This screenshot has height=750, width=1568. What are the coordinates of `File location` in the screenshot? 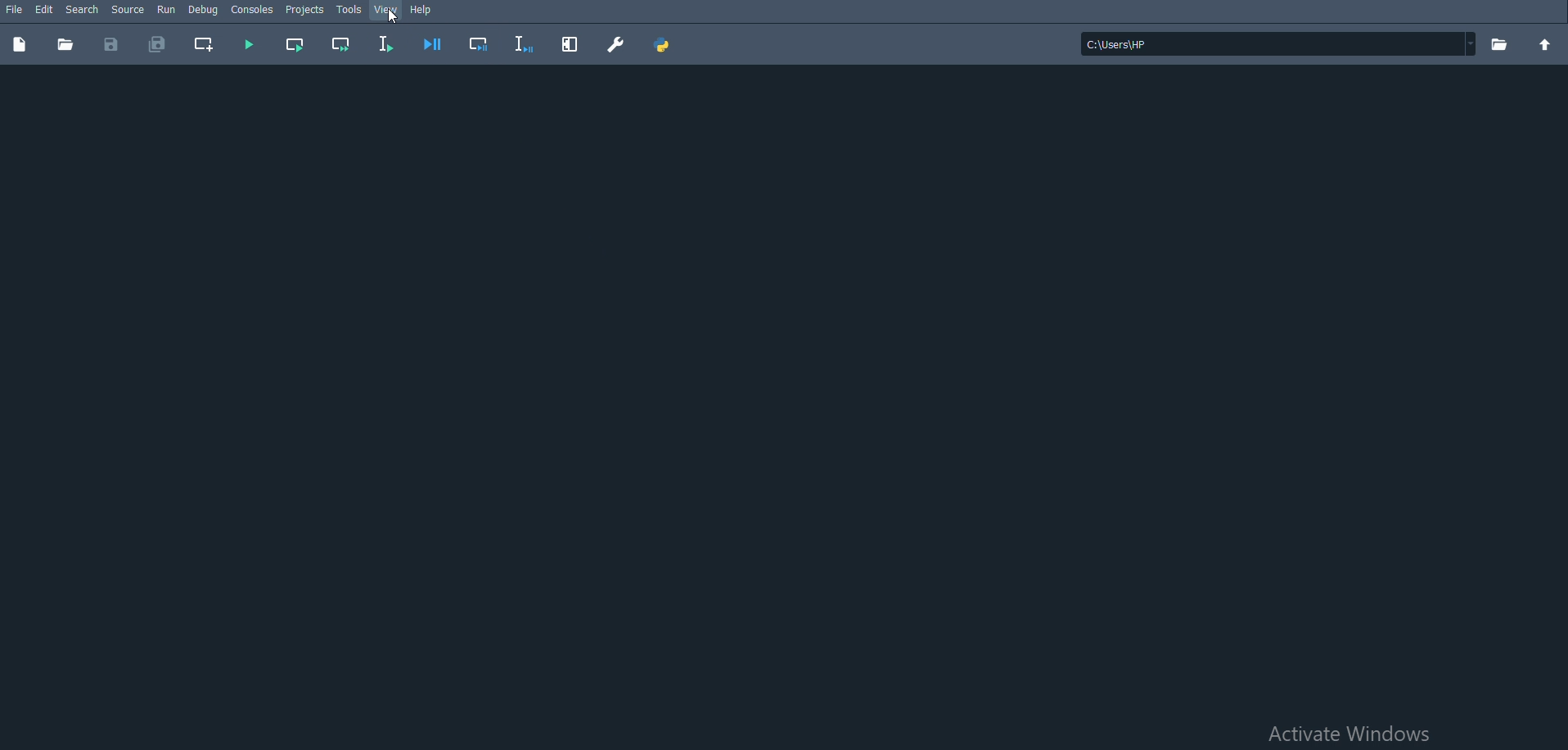 It's located at (1277, 44).